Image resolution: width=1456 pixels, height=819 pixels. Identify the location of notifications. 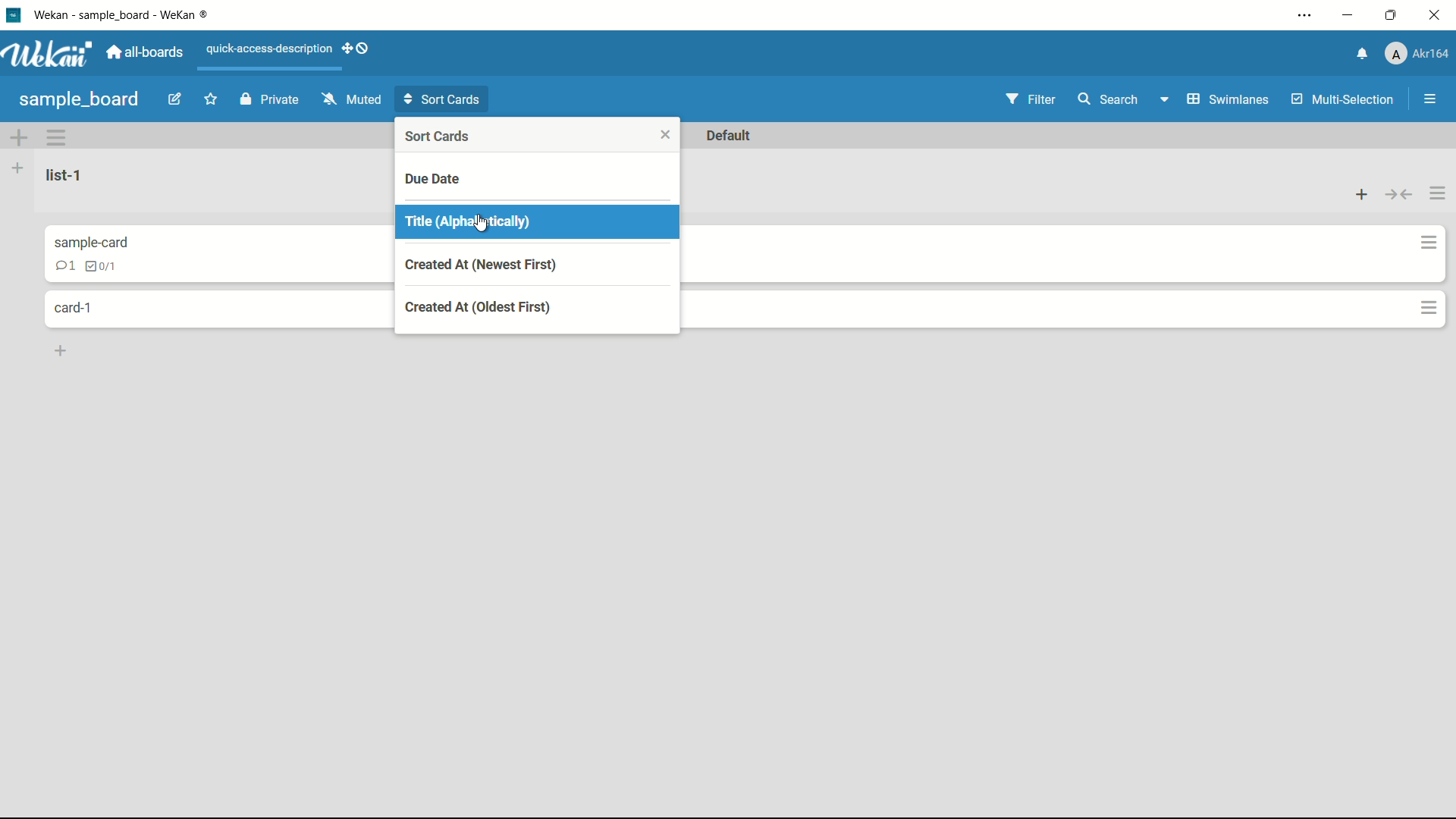
(1363, 54).